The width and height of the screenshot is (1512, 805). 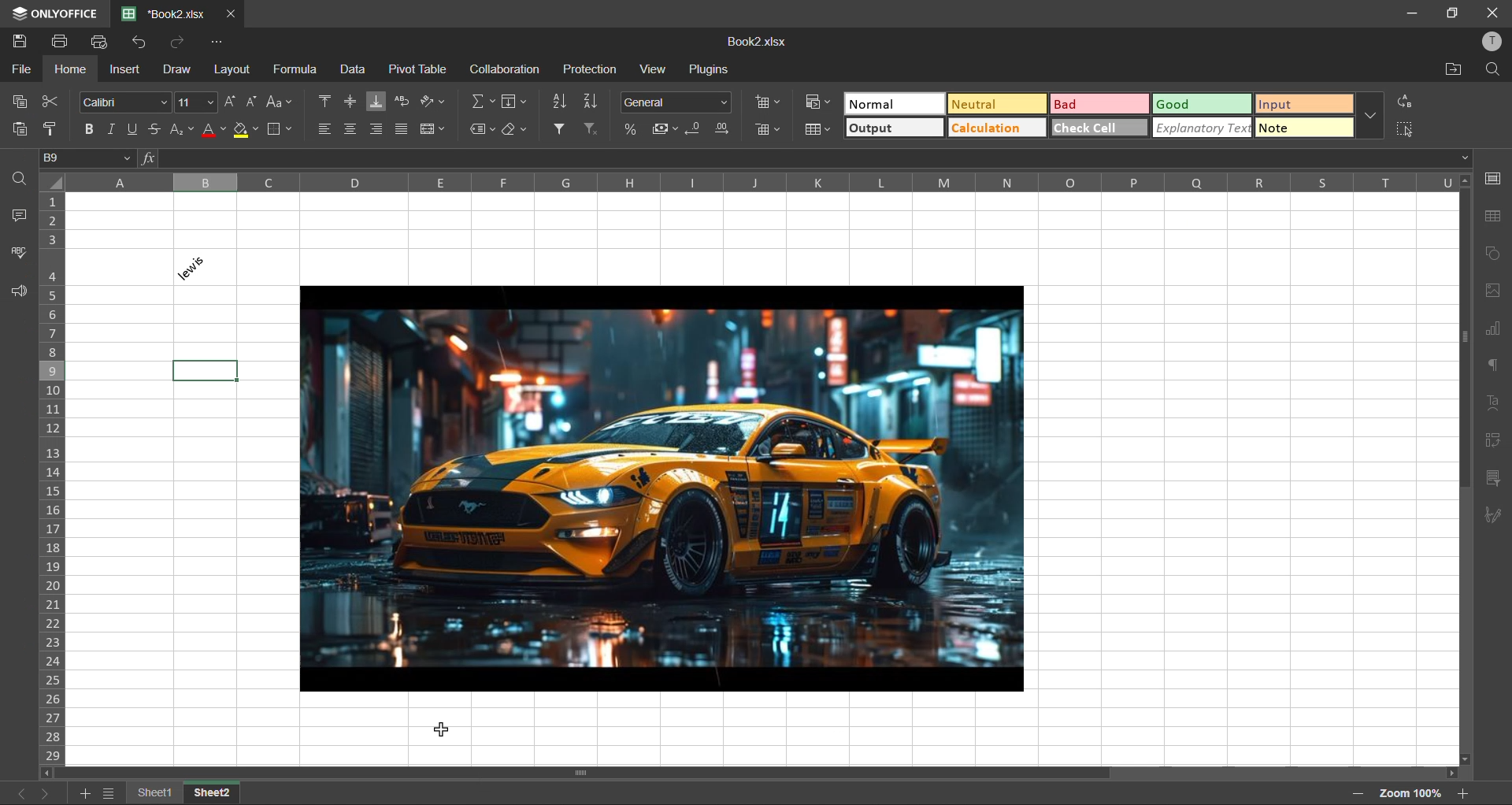 I want to click on file, so click(x=20, y=70).